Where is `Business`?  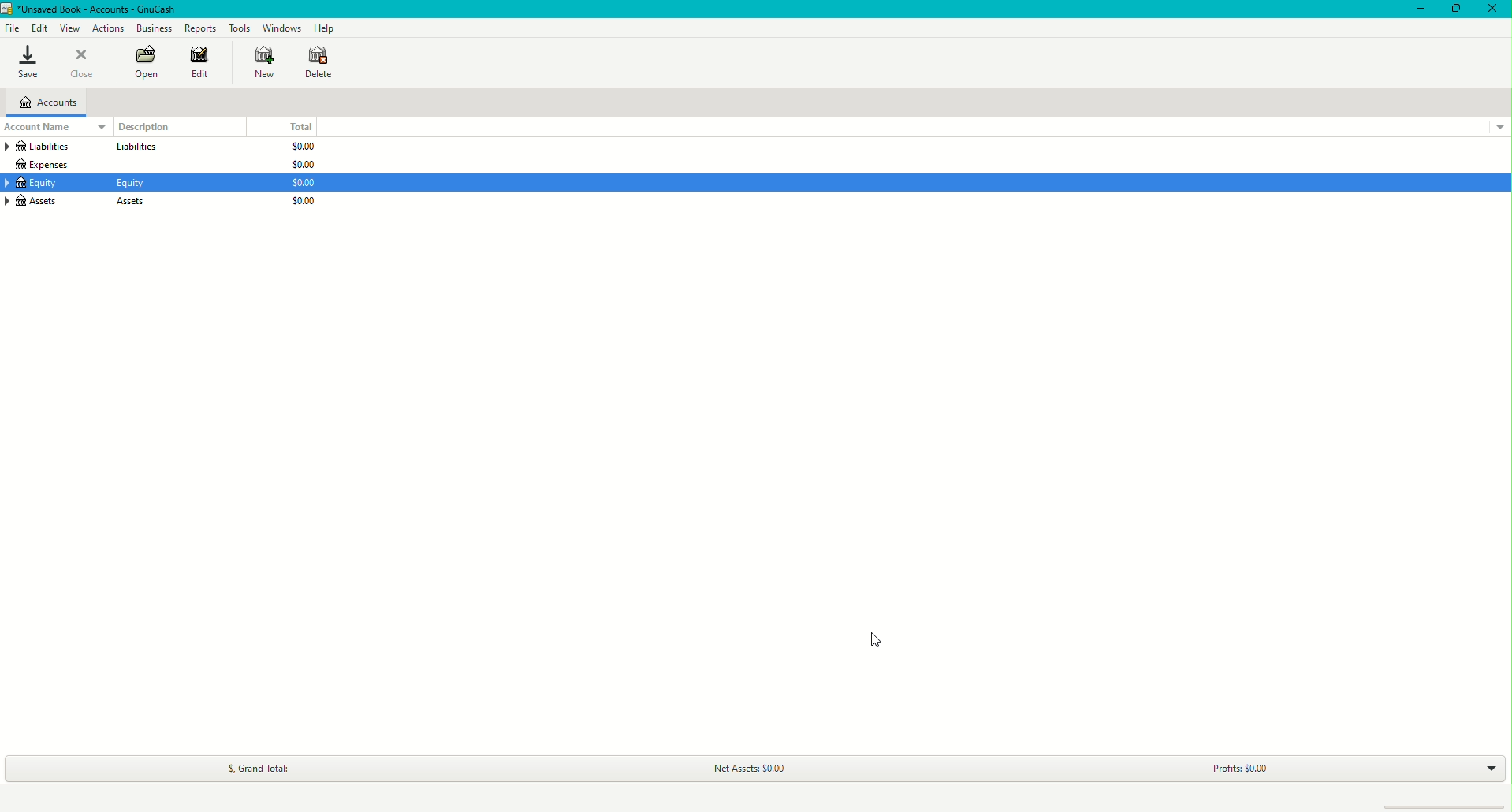
Business is located at coordinates (152, 26).